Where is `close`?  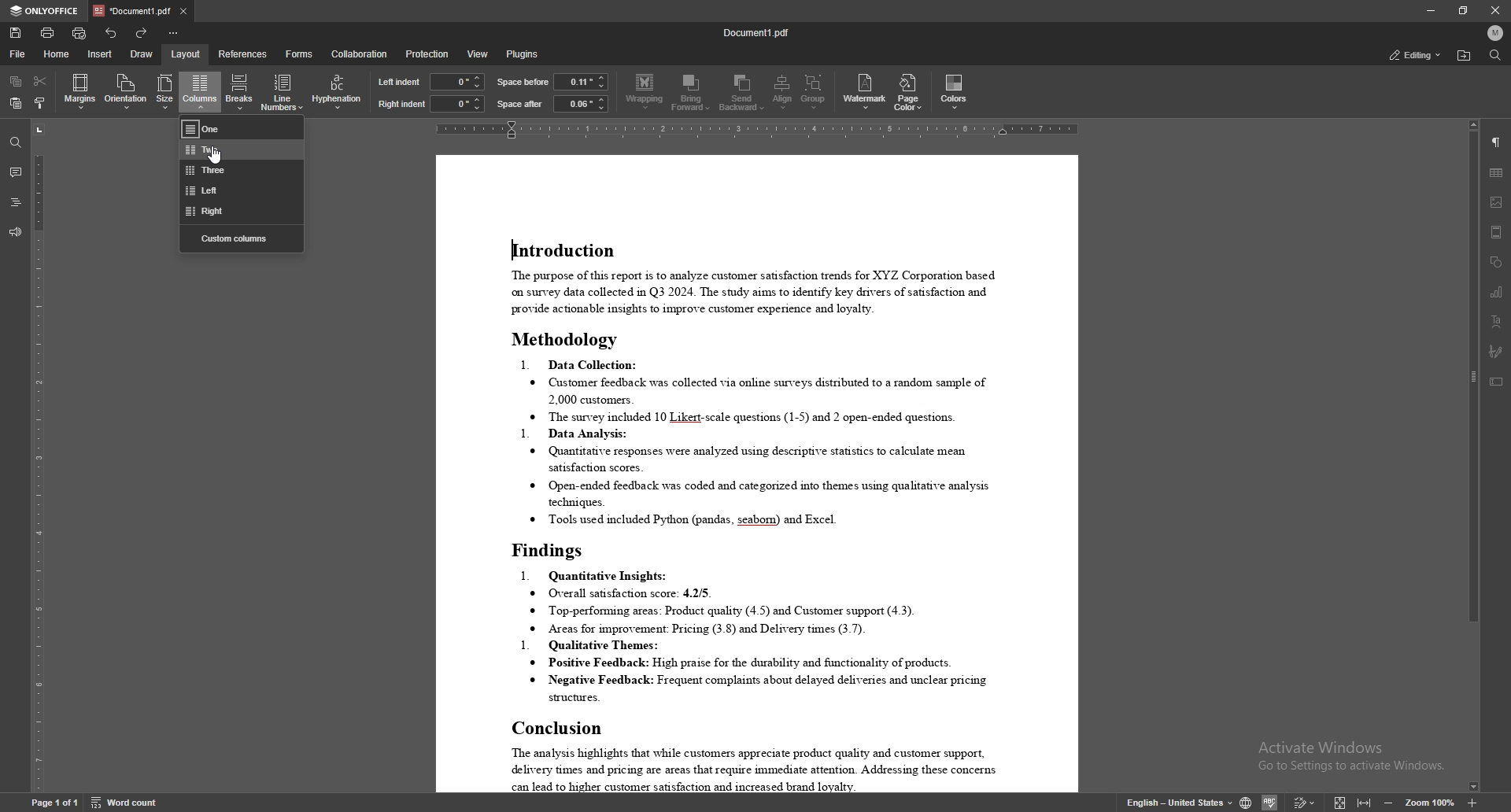 close is located at coordinates (1495, 11).